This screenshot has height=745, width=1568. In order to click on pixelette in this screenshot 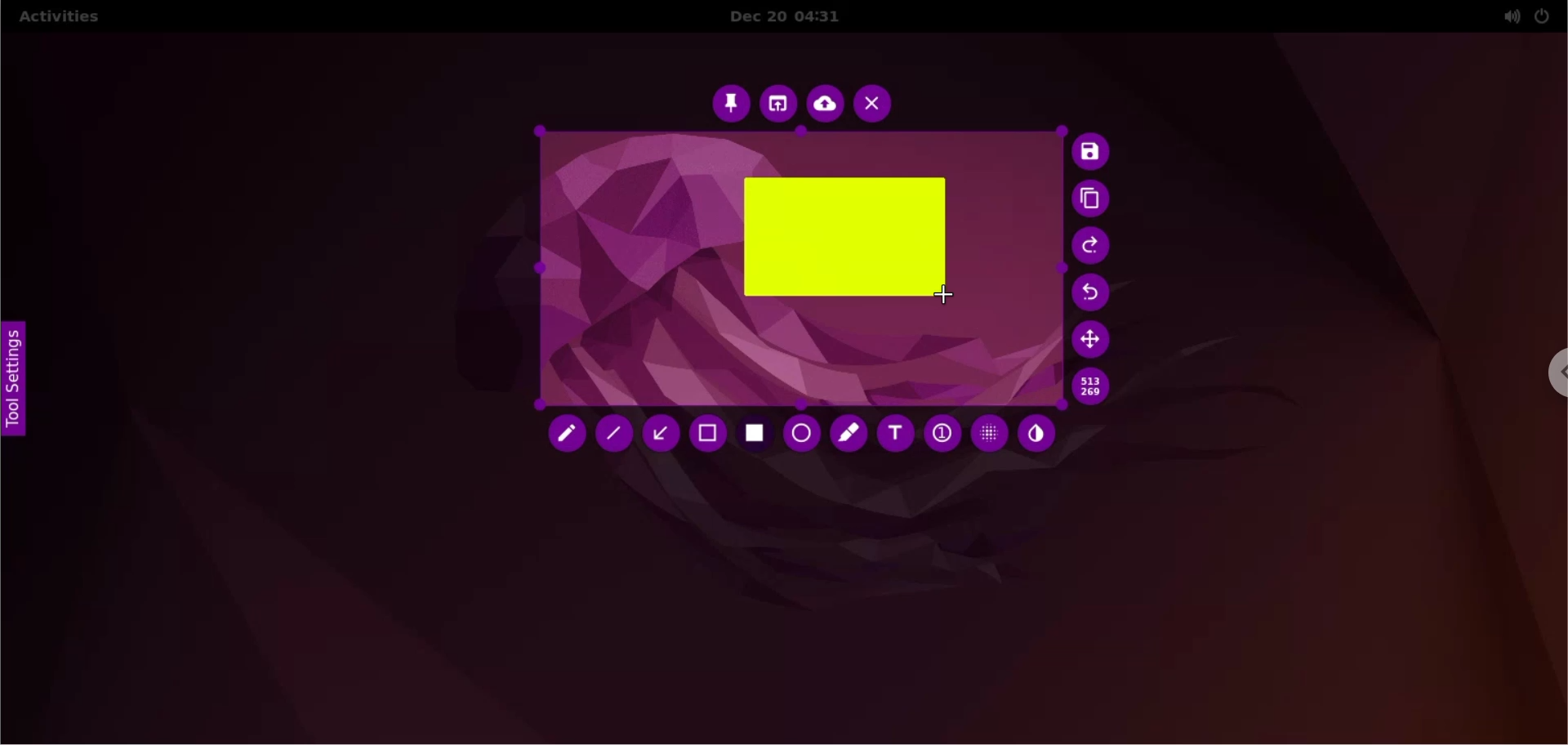, I will do `click(989, 434)`.